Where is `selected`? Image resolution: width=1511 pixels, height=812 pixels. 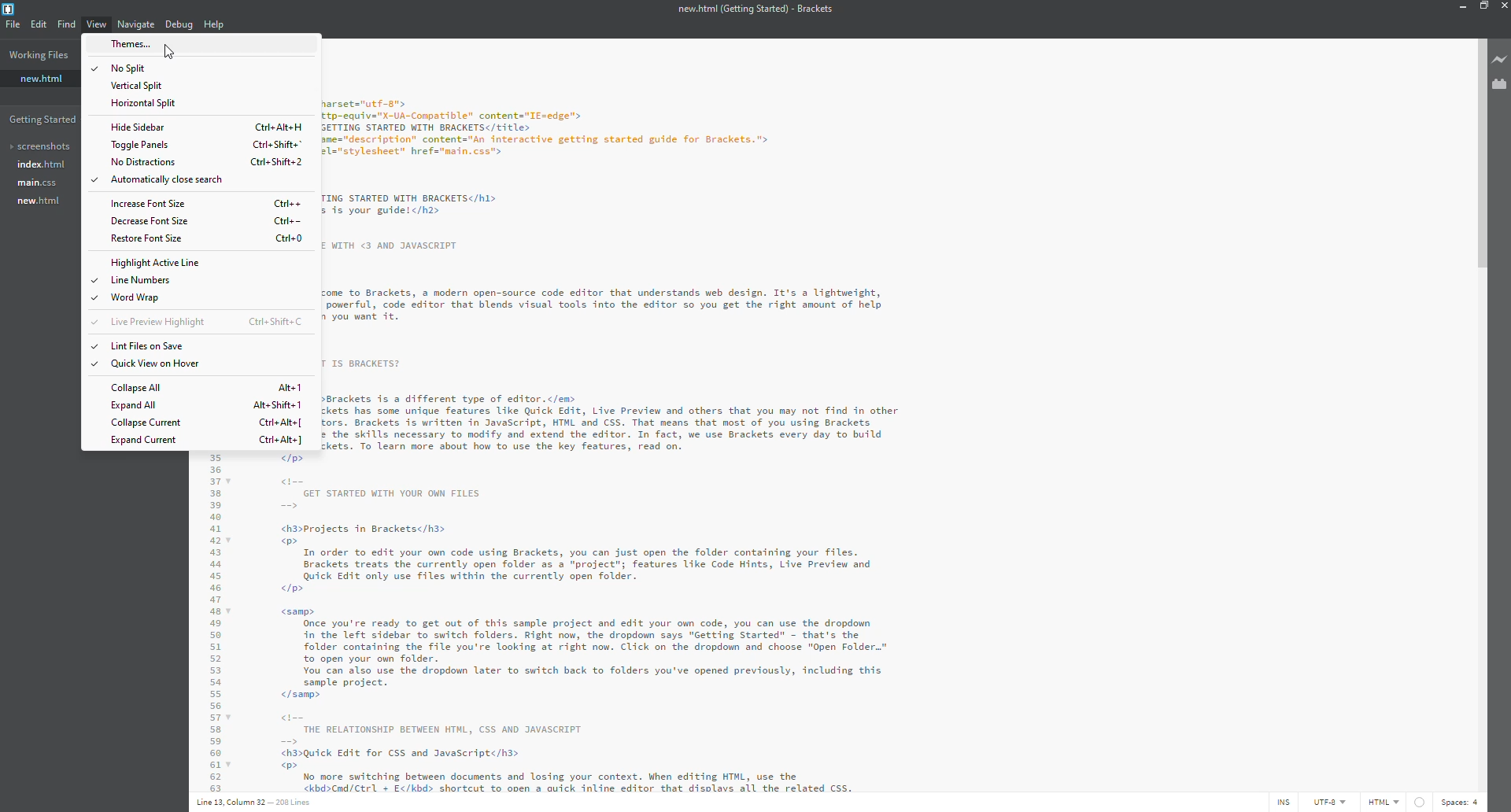
selected is located at coordinates (91, 364).